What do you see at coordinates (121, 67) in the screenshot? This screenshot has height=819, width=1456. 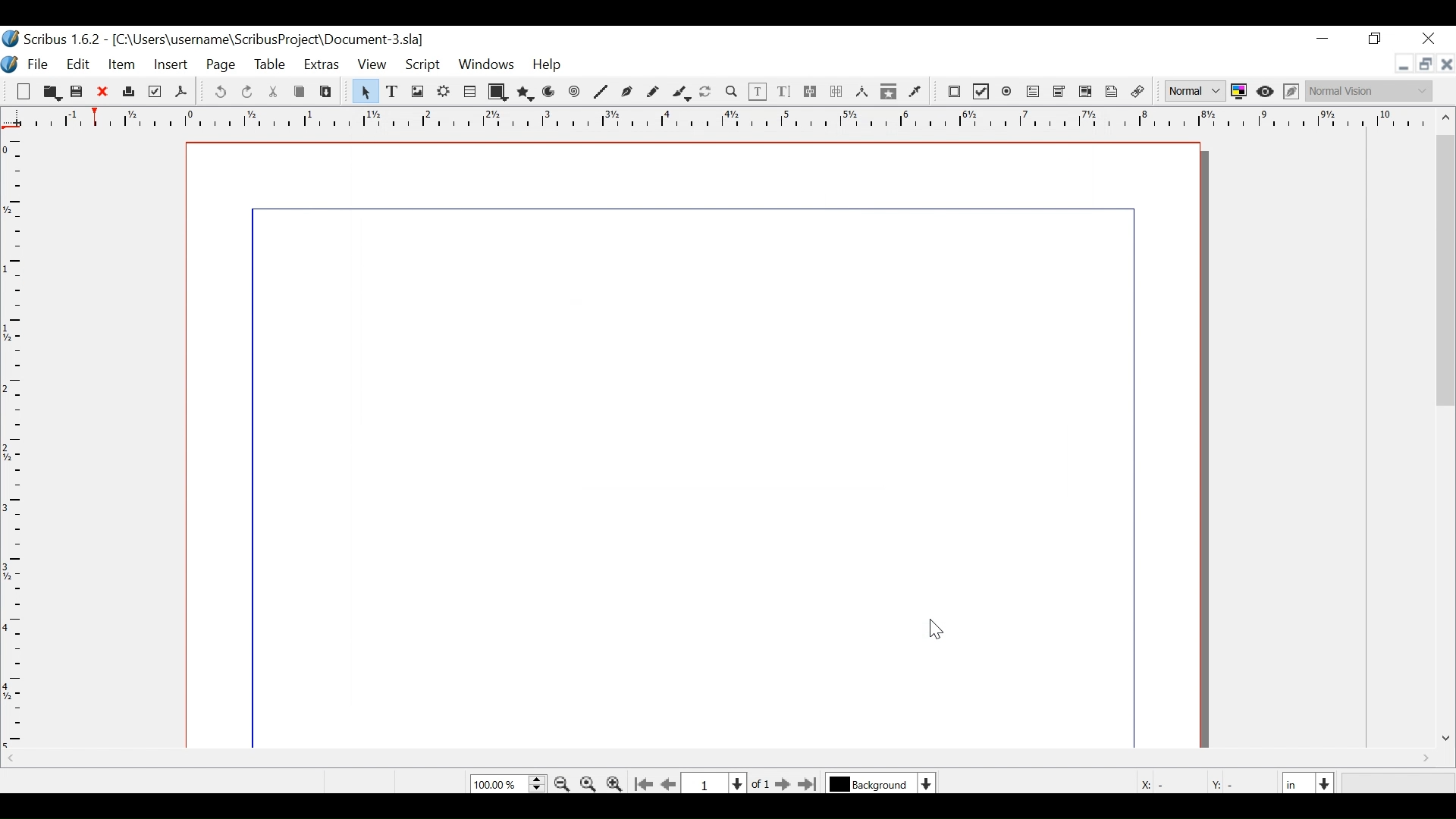 I see `Item` at bounding box center [121, 67].